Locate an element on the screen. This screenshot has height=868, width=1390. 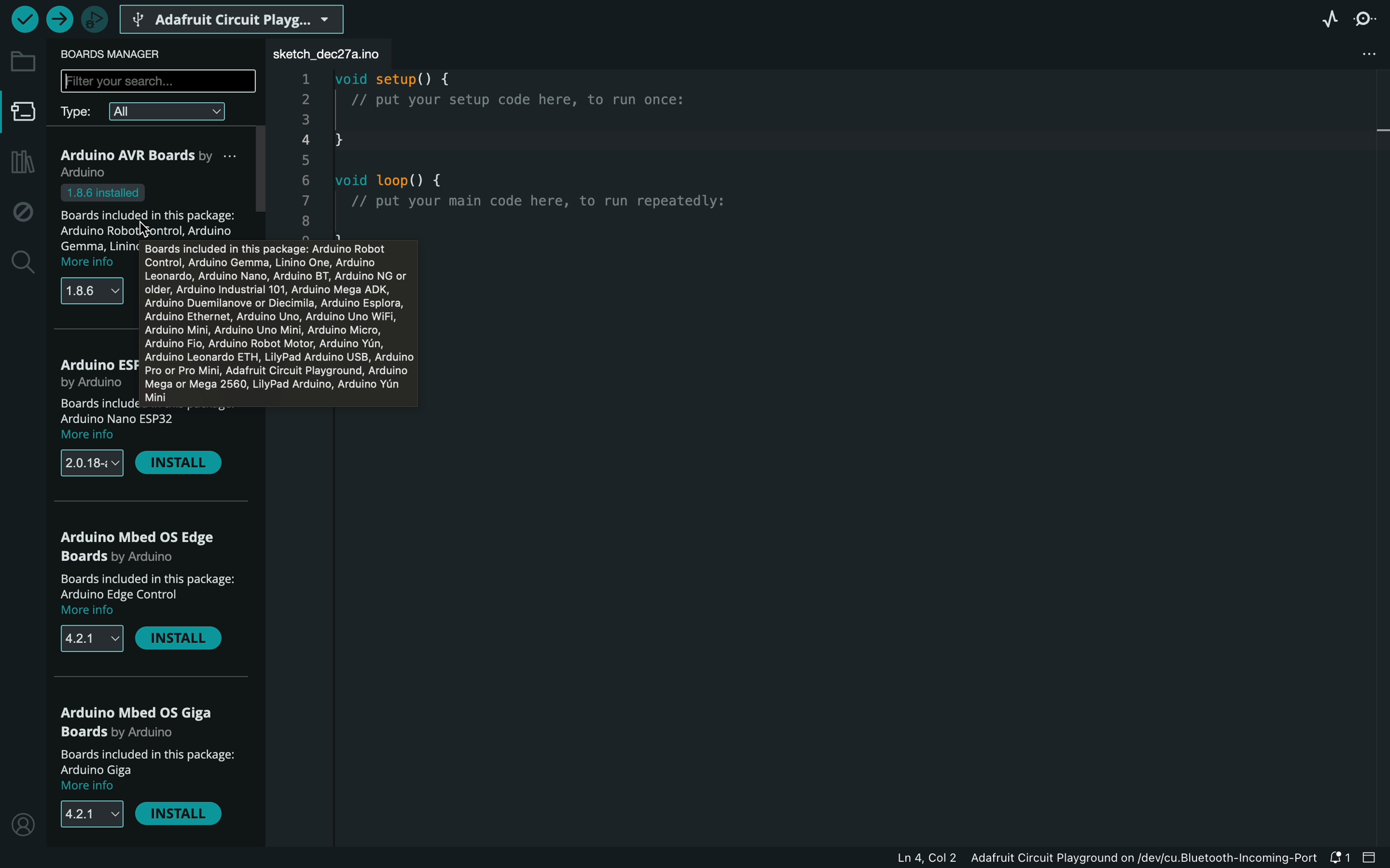
versions is located at coordinates (90, 463).